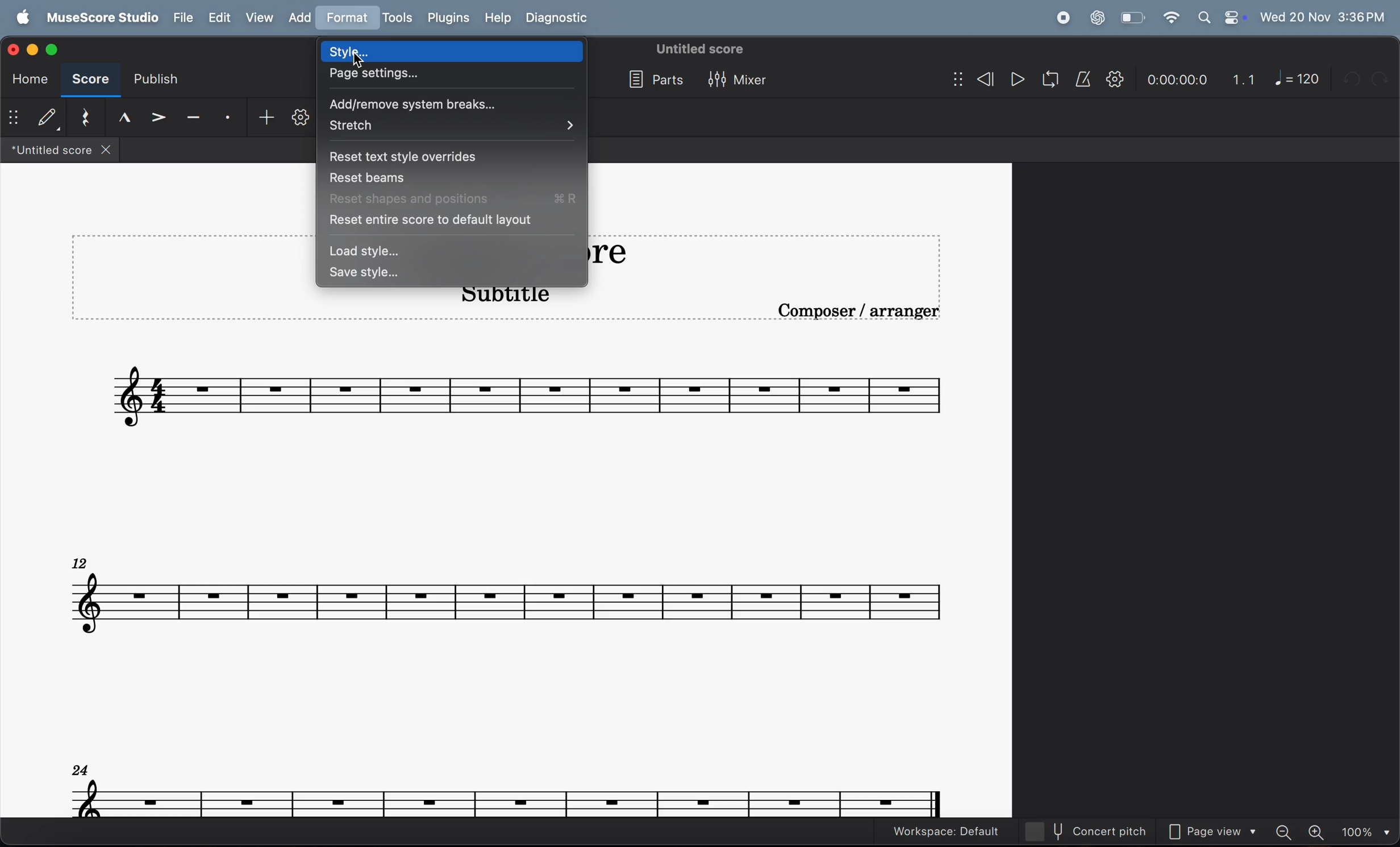 Image resolution: width=1400 pixels, height=847 pixels. What do you see at coordinates (1323, 15) in the screenshot?
I see `date and time` at bounding box center [1323, 15].